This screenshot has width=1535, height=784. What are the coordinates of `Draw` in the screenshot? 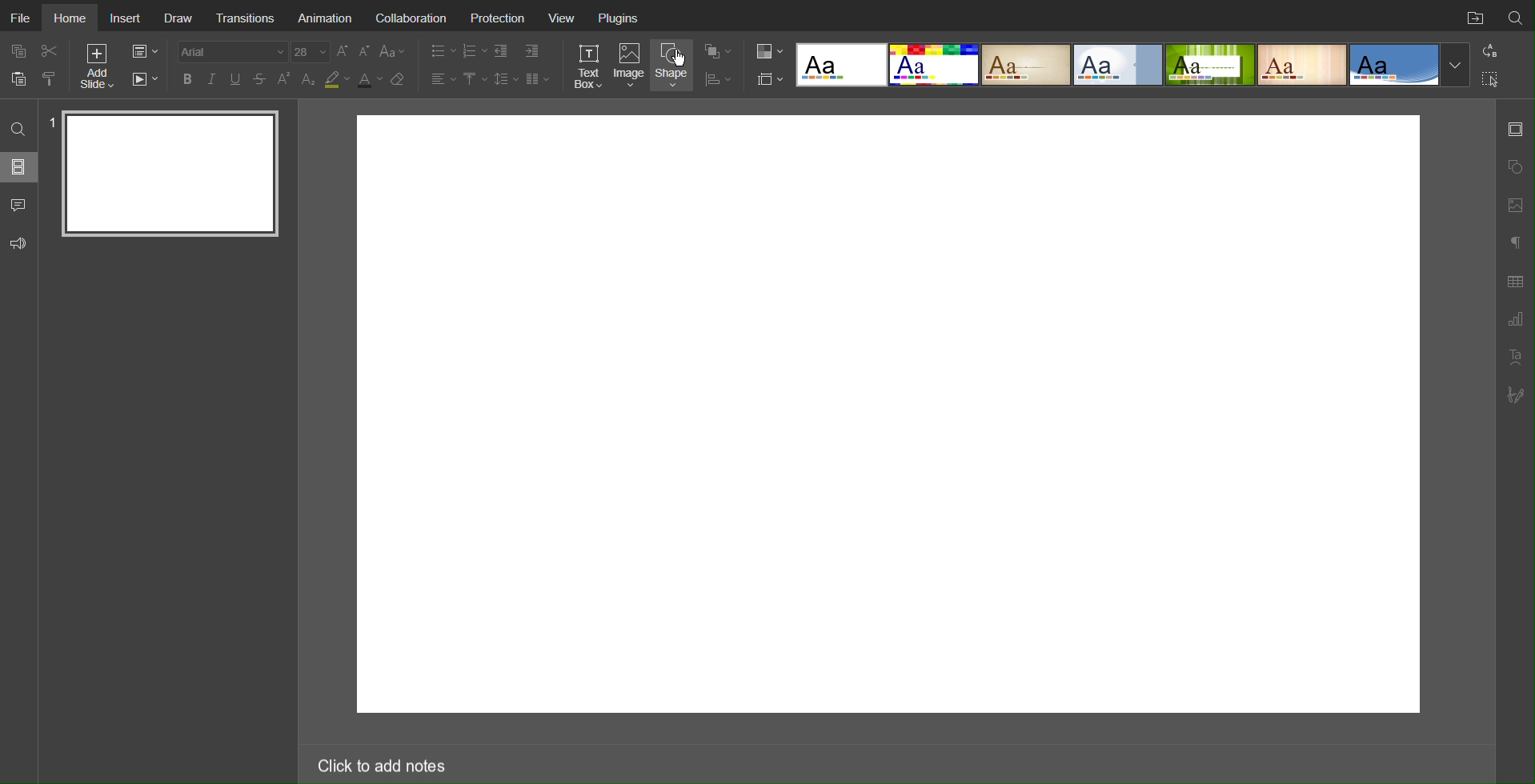 It's located at (180, 16).